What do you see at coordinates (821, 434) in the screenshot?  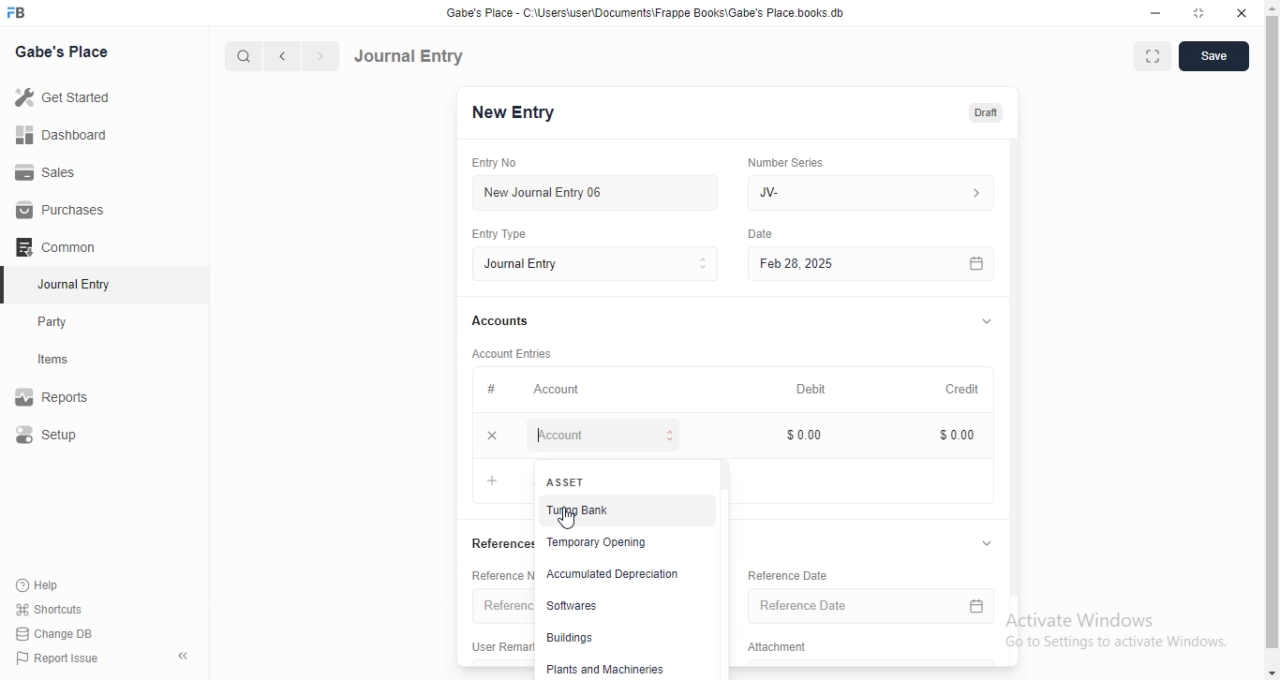 I see `$0.00` at bounding box center [821, 434].